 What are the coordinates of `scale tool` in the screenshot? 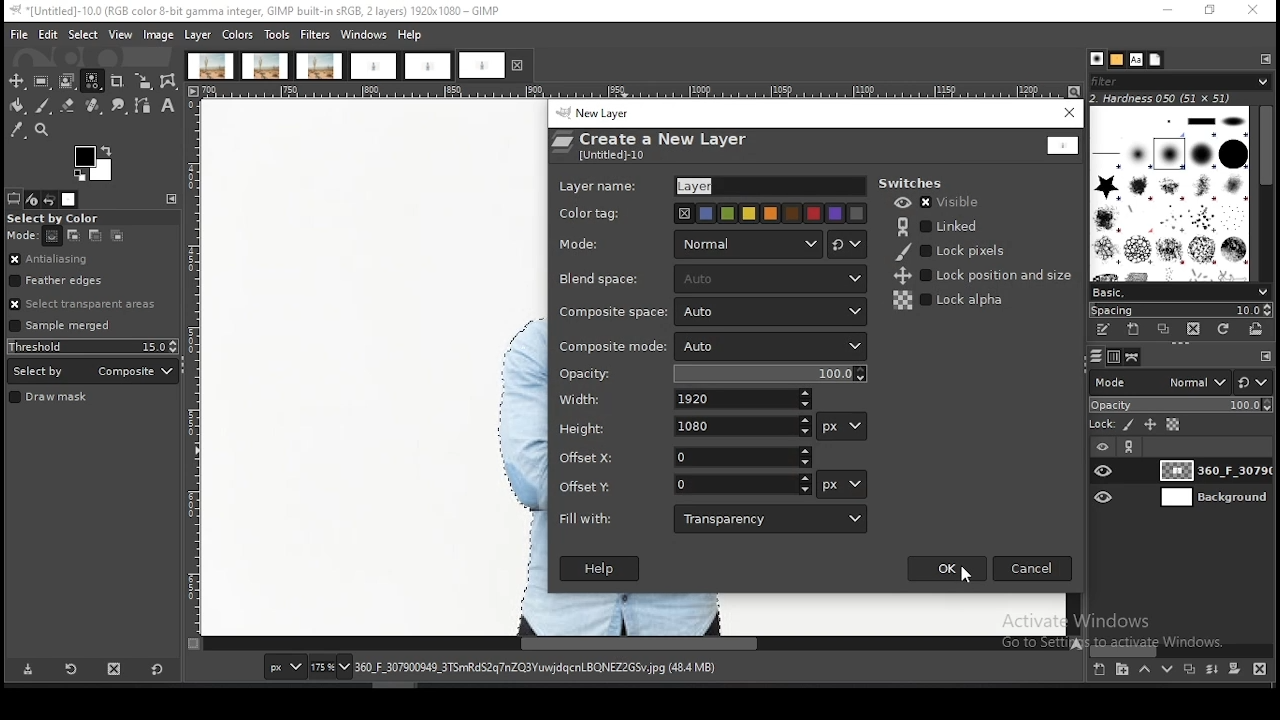 It's located at (143, 82).